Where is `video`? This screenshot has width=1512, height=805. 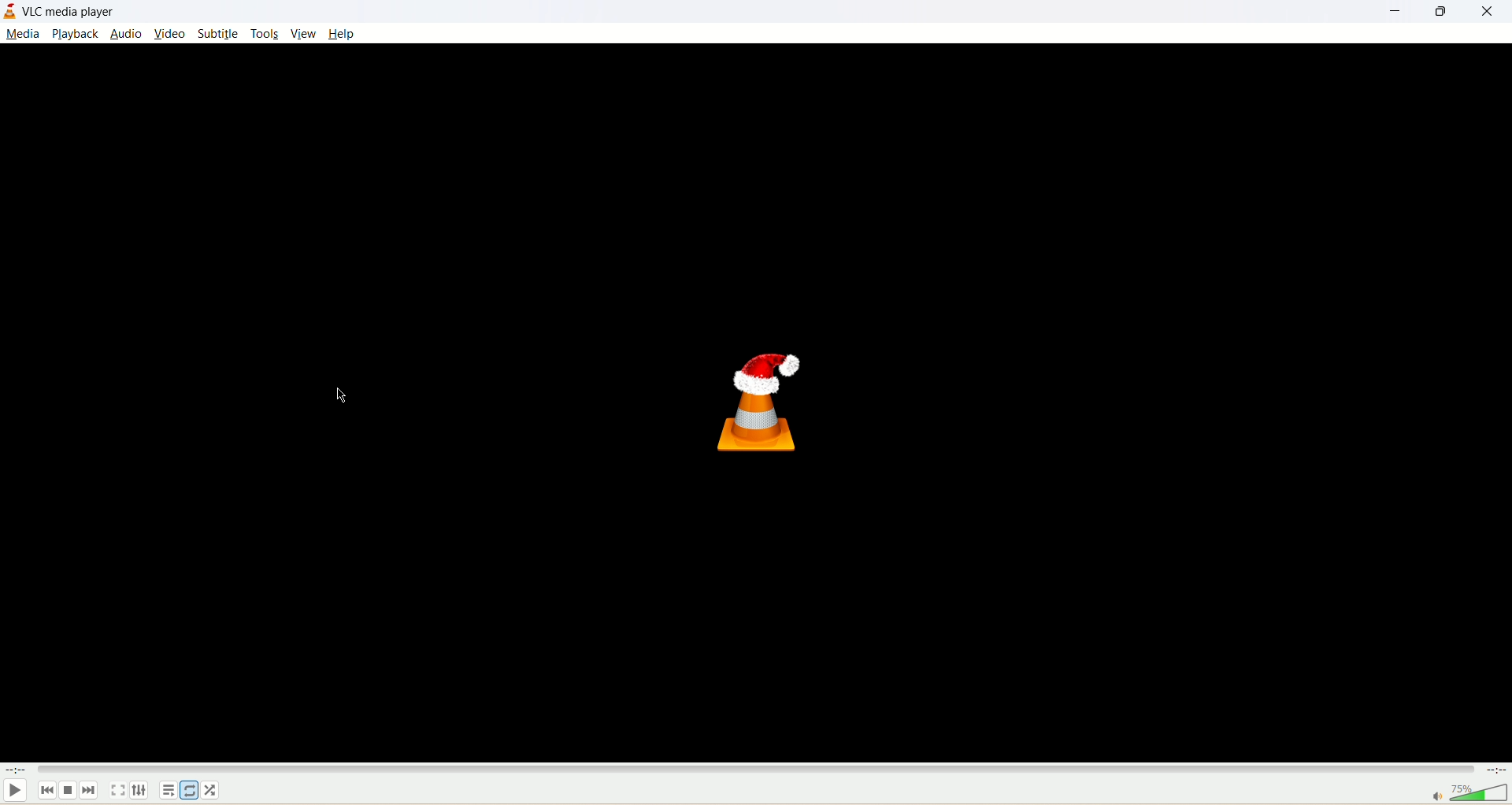 video is located at coordinates (172, 35).